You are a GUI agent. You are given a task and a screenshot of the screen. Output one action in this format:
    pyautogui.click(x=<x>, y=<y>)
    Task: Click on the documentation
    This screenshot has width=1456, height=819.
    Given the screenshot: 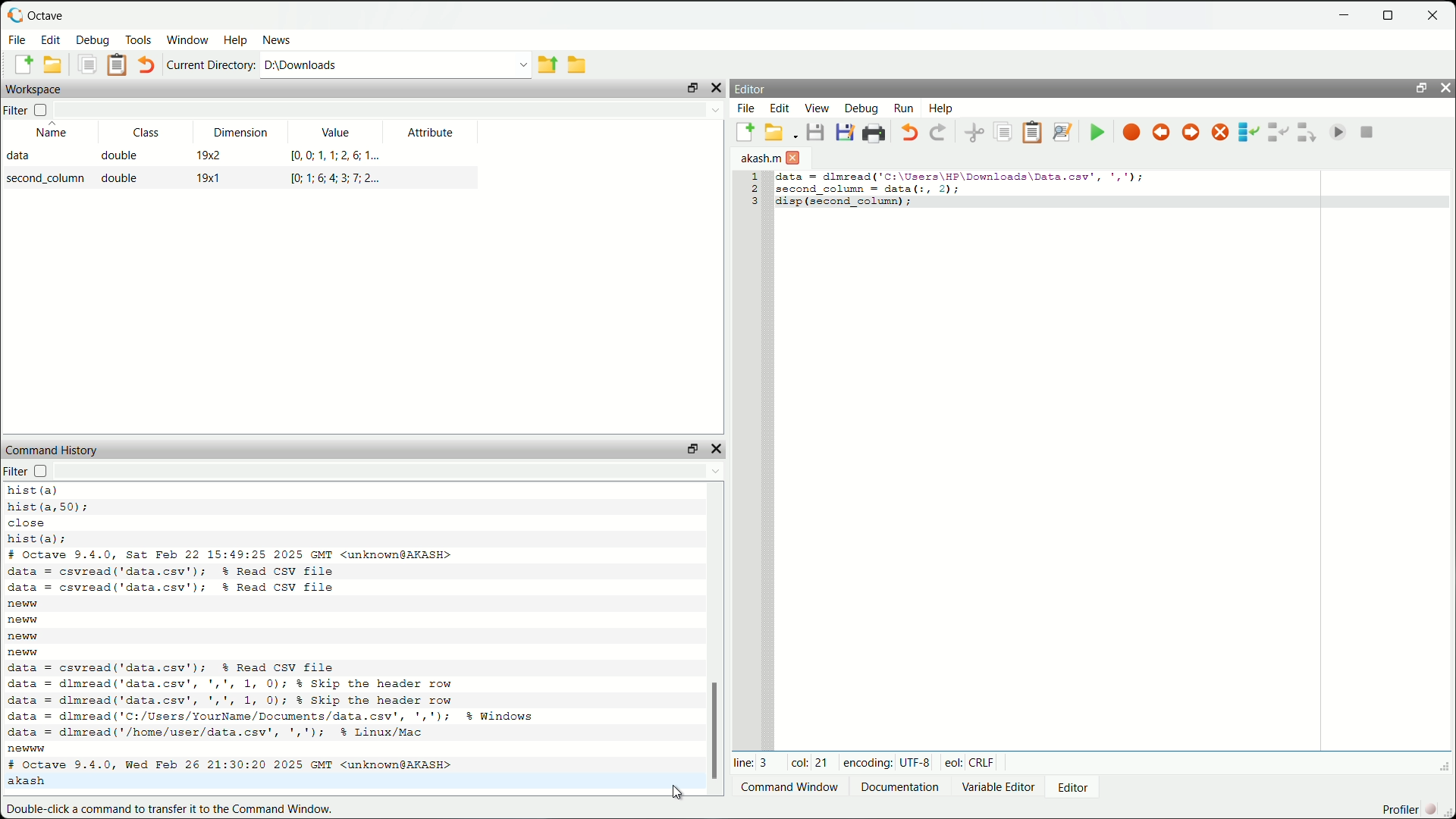 What is the action you would take?
    pyautogui.click(x=901, y=786)
    